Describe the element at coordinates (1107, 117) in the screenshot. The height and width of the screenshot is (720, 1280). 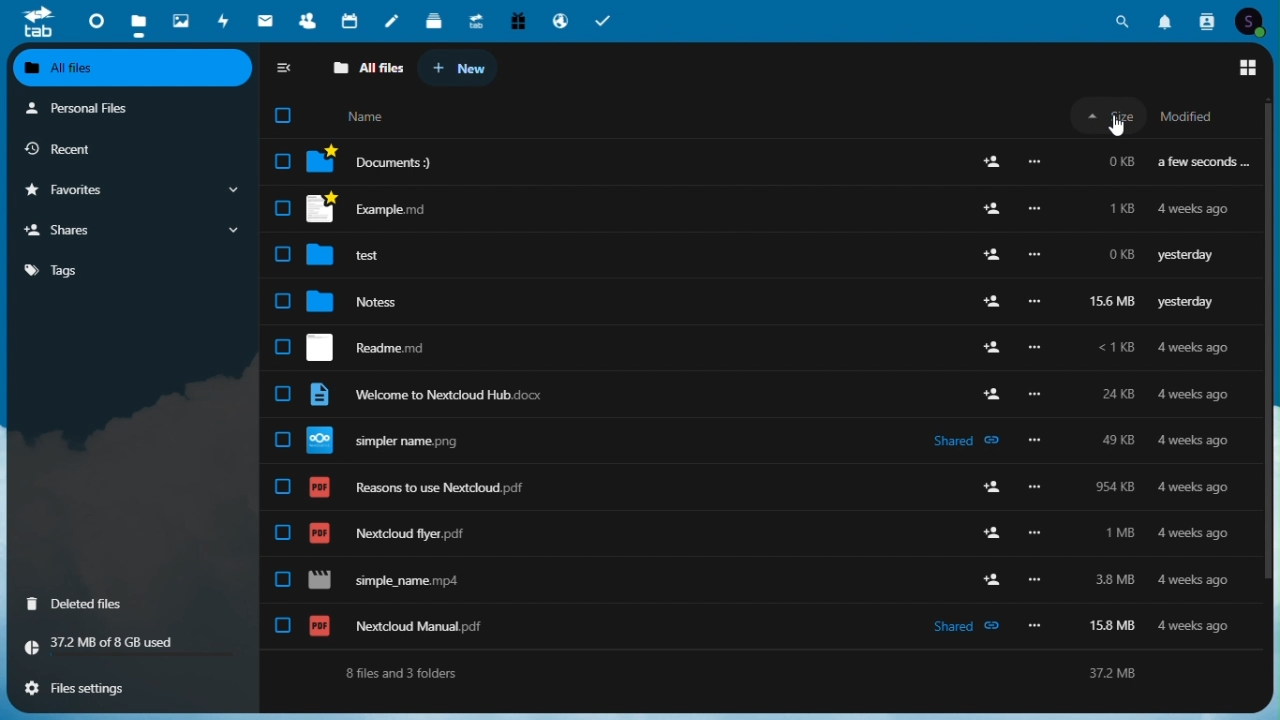
I see `Size` at that location.